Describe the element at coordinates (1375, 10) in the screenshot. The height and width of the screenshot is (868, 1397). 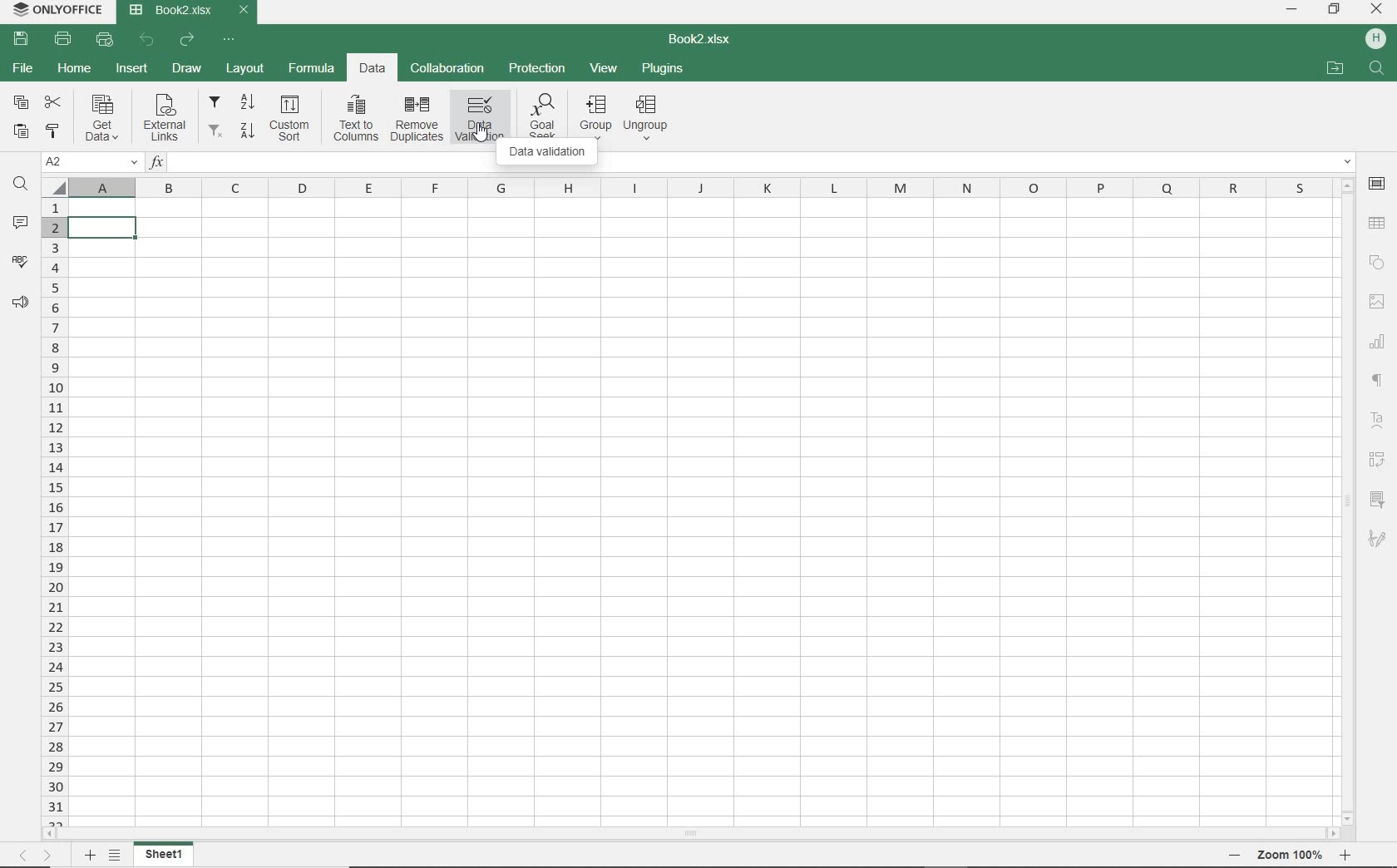
I see `CLOSE` at that location.